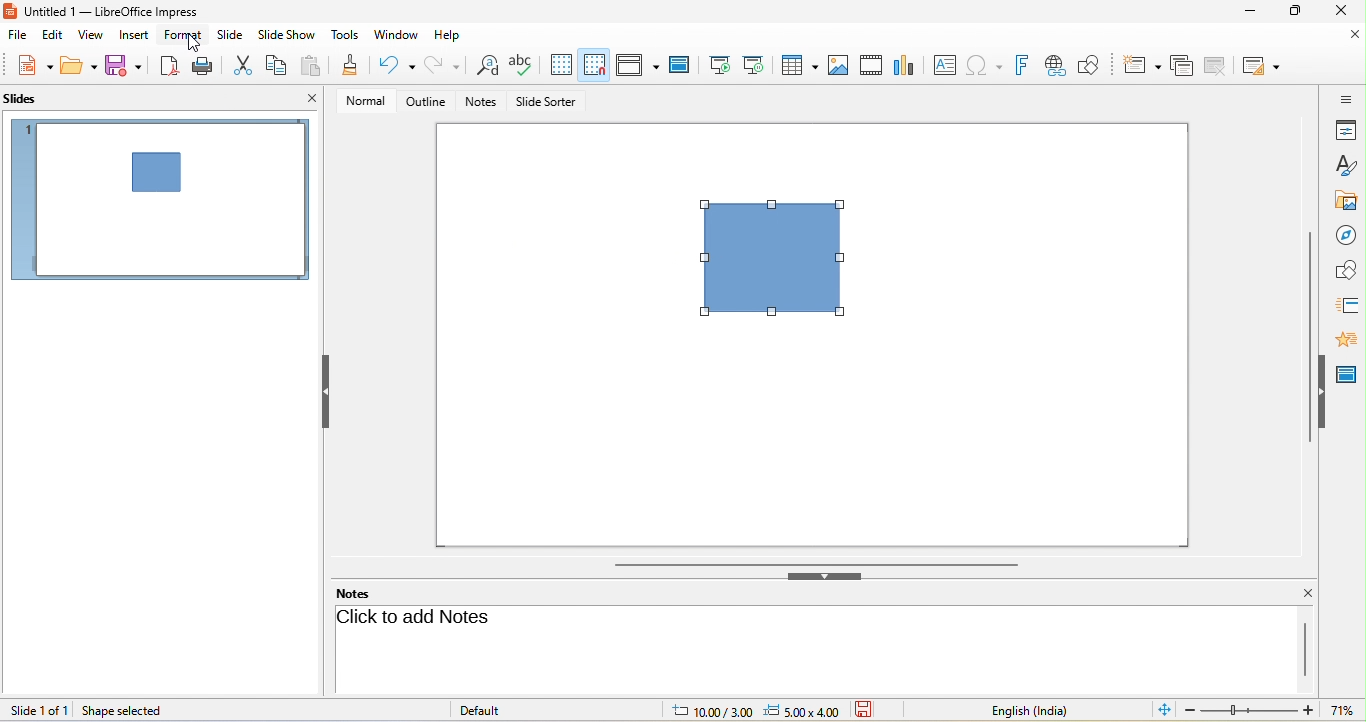 The image size is (1366, 722). I want to click on normal, so click(366, 101).